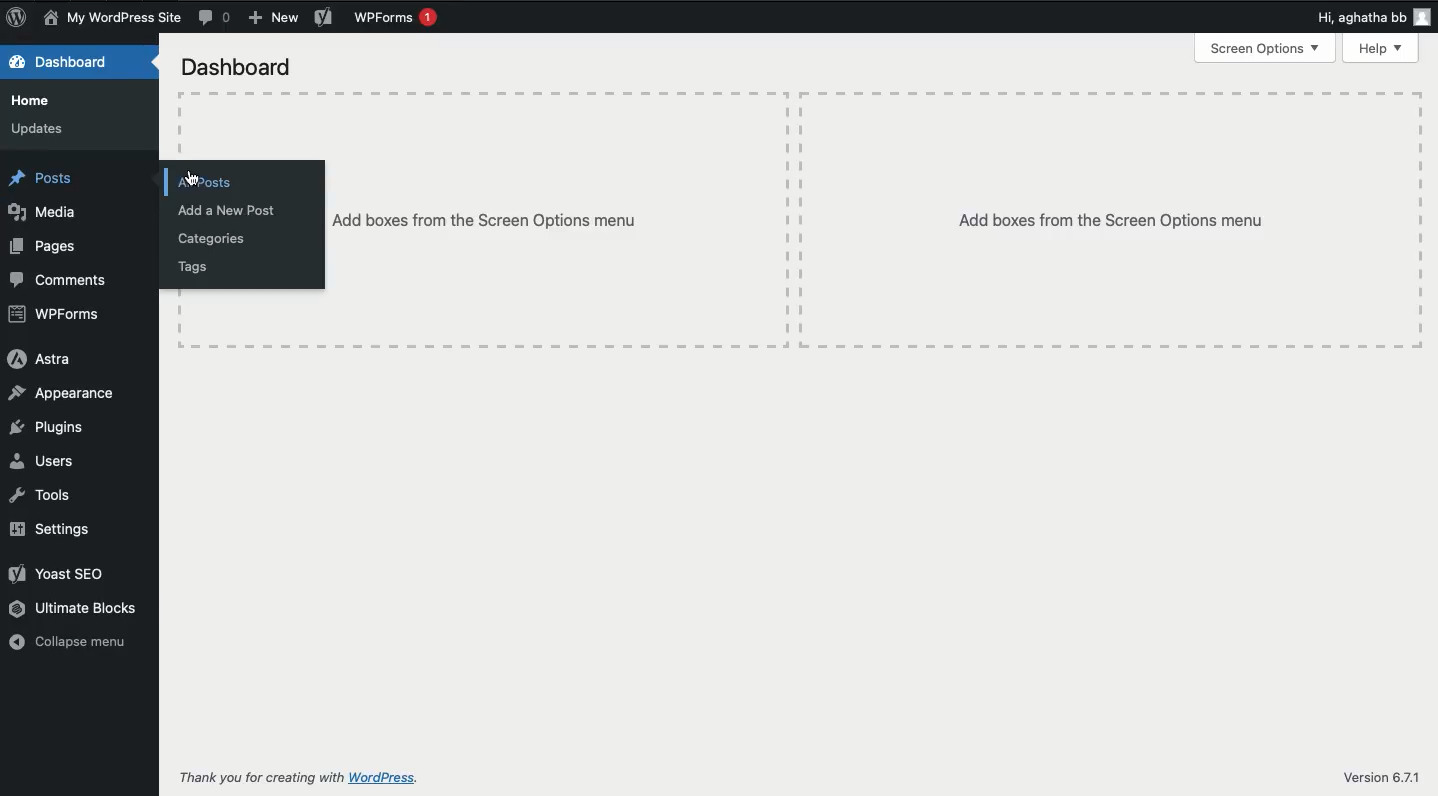  I want to click on New, so click(276, 18).